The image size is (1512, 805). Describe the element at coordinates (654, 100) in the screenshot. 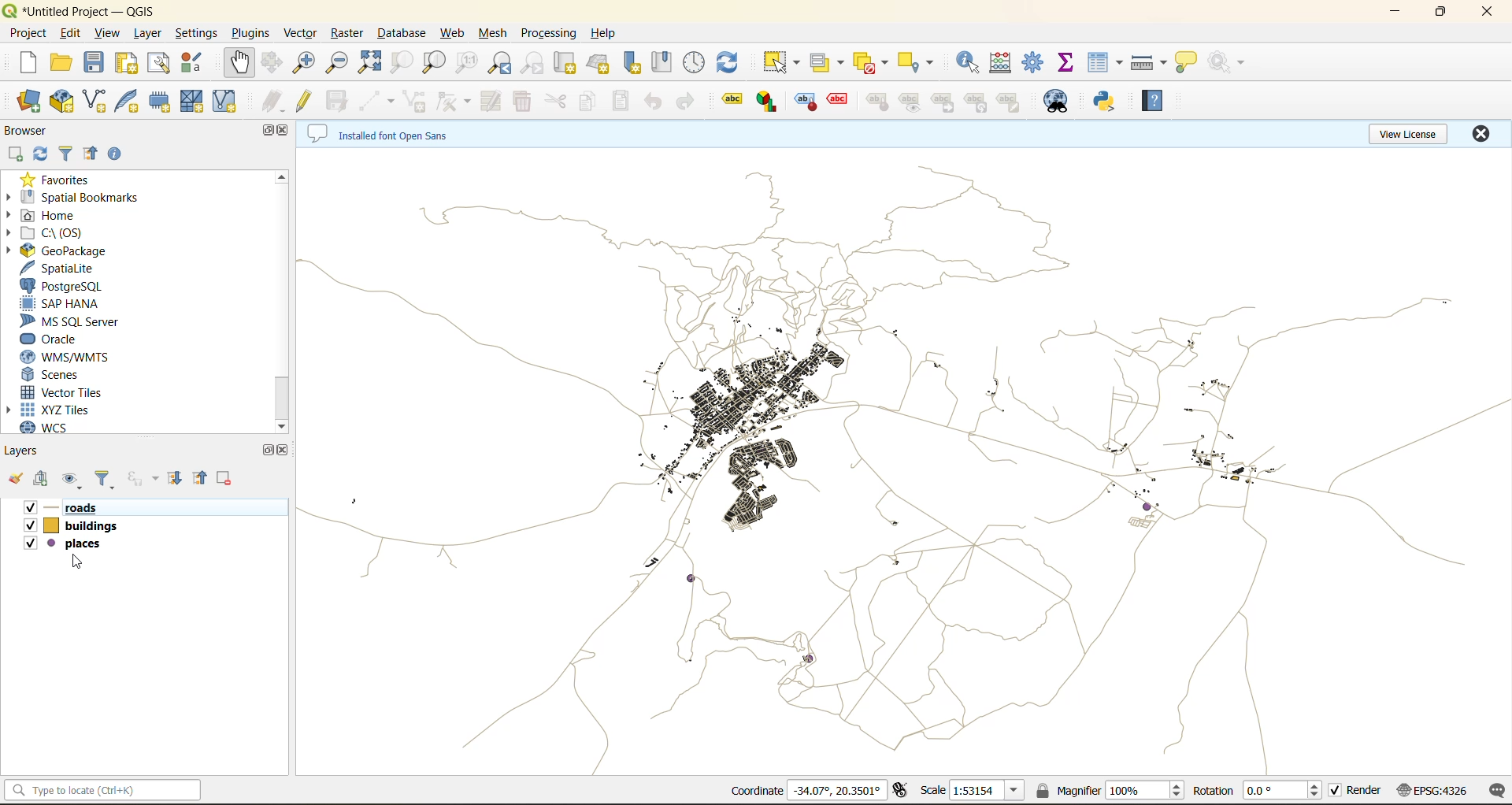

I see `undo` at that location.